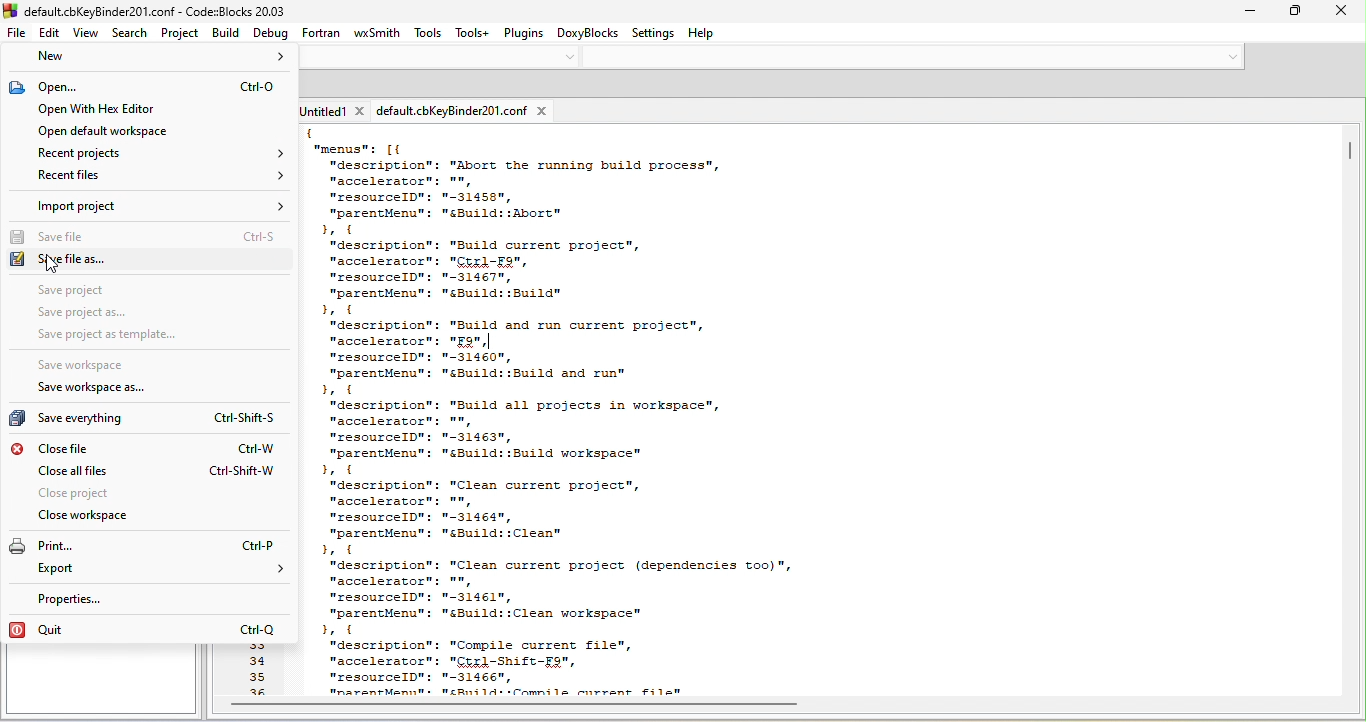  What do you see at coordinates (1234, 58) in the screenshot?
I see `down` at bounding box center [1234, 58].